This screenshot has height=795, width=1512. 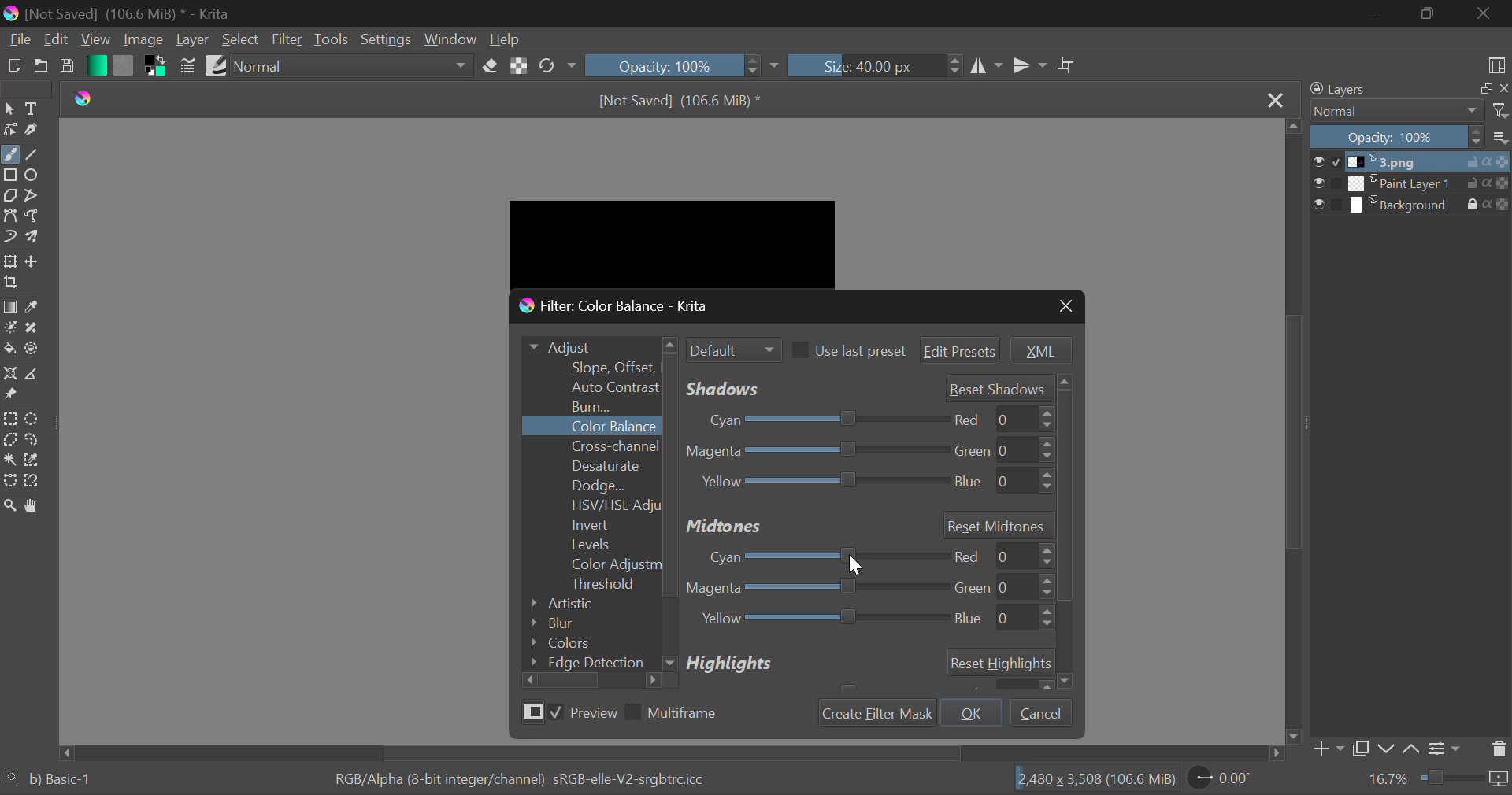 What do you see at coordinates (124, 65) in the screenshot?
I see `Pattern` at bounding box center [124, 65].